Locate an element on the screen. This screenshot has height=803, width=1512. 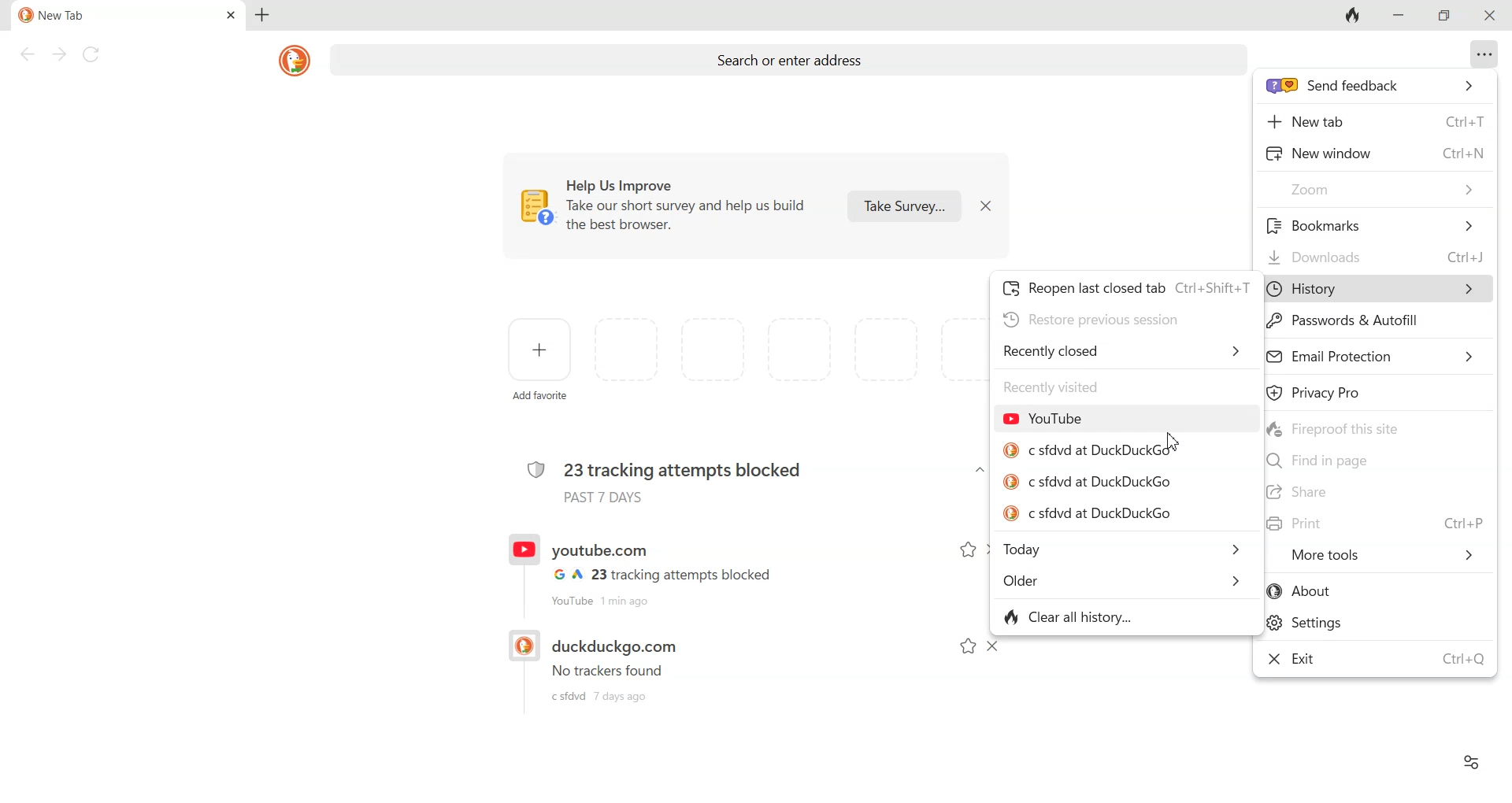
add favorite is located at coordinates (540, 398).